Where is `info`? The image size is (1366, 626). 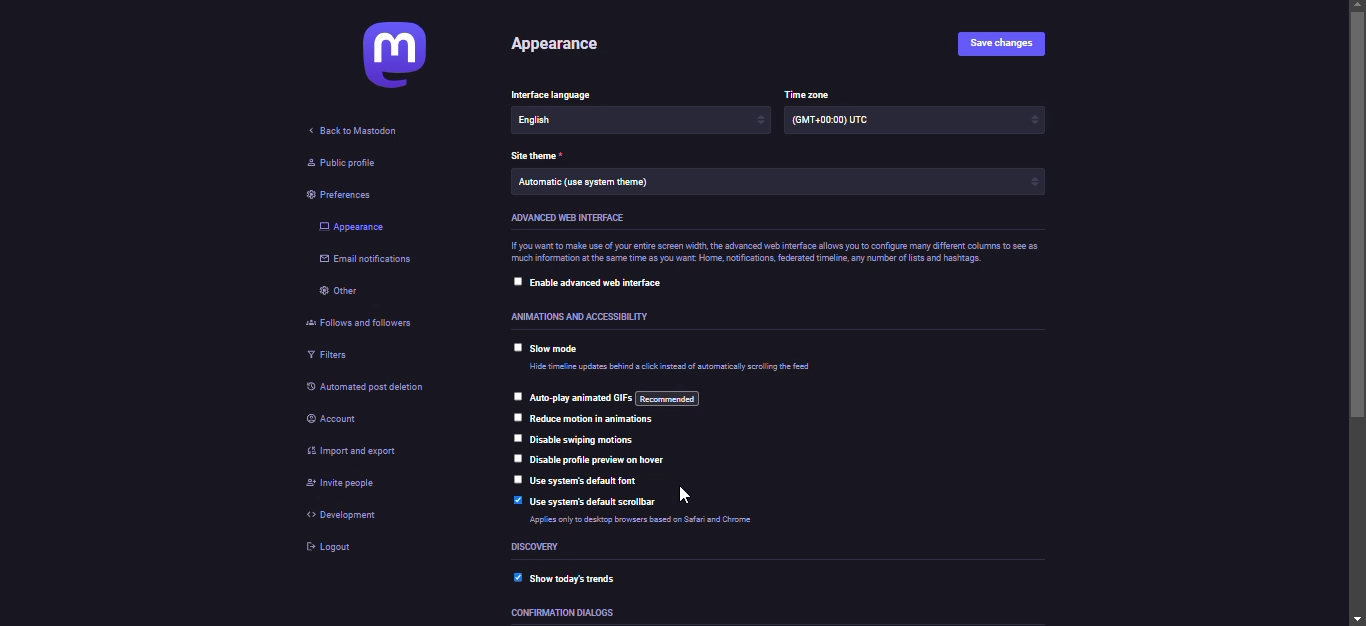
info is located at coordinates (663, 520).